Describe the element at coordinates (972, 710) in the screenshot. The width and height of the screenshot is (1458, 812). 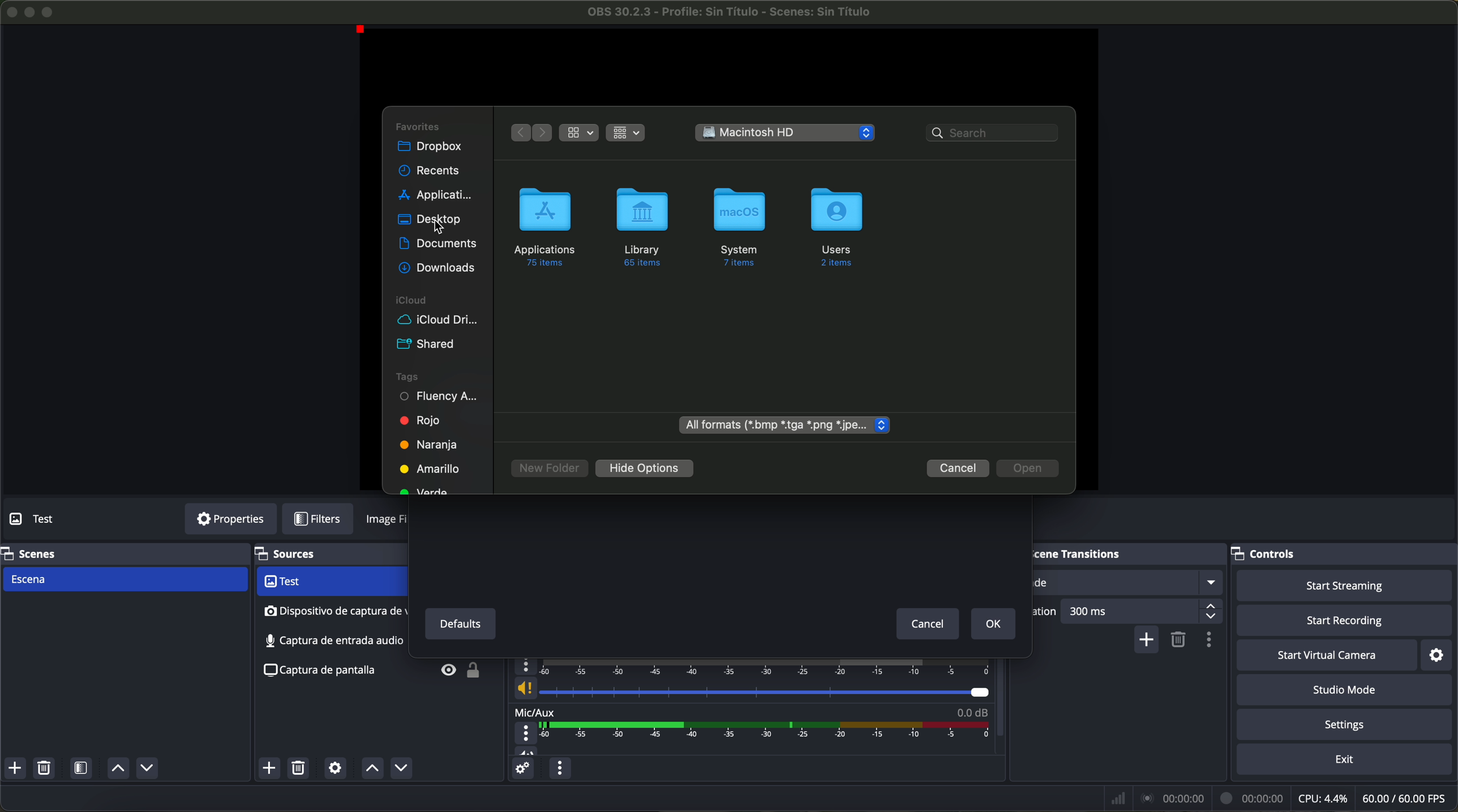
I see `0.0 dB` at that location.